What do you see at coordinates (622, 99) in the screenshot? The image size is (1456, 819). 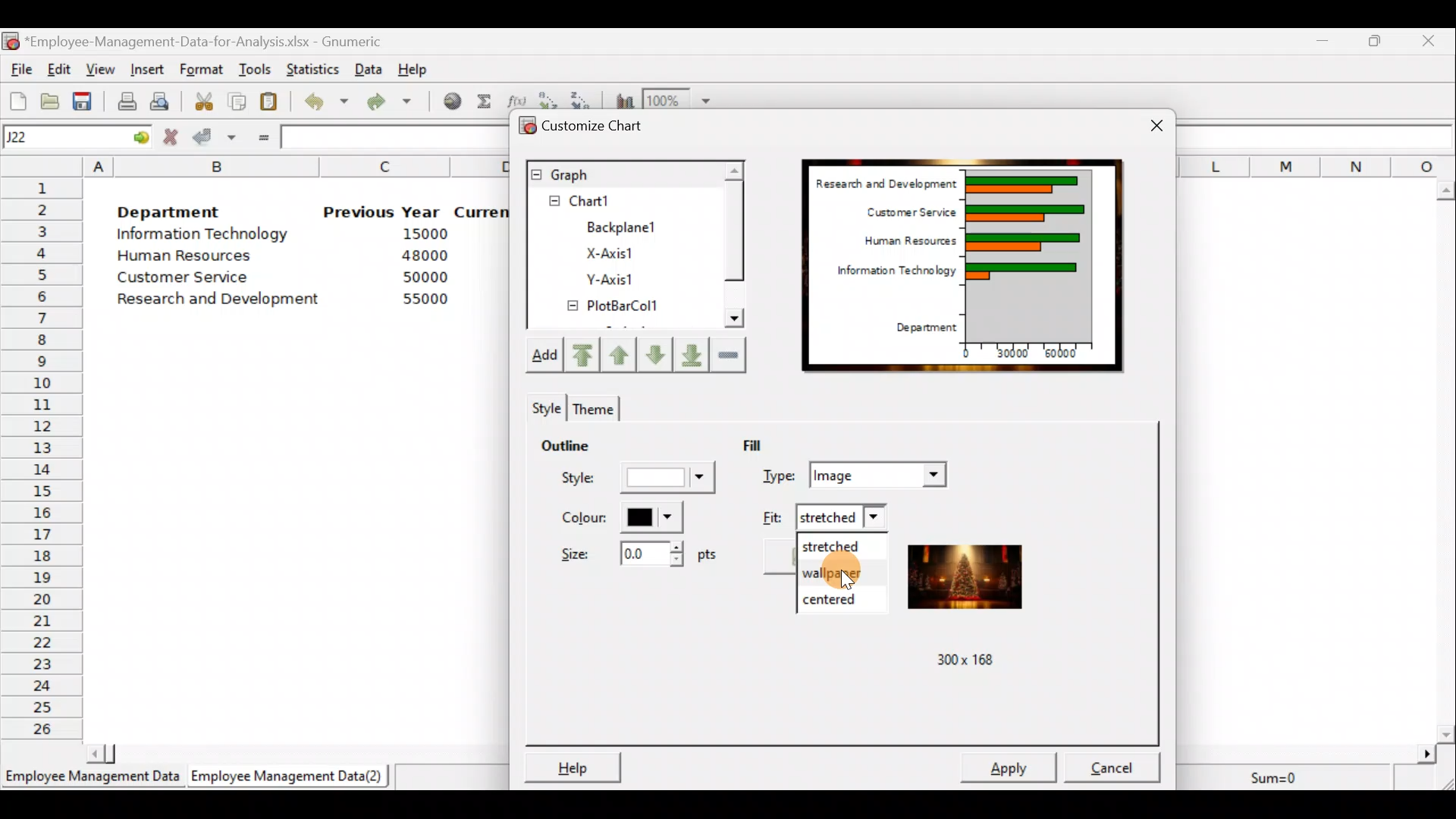 I see `Insert a chart` at bounding box center [622, 99].